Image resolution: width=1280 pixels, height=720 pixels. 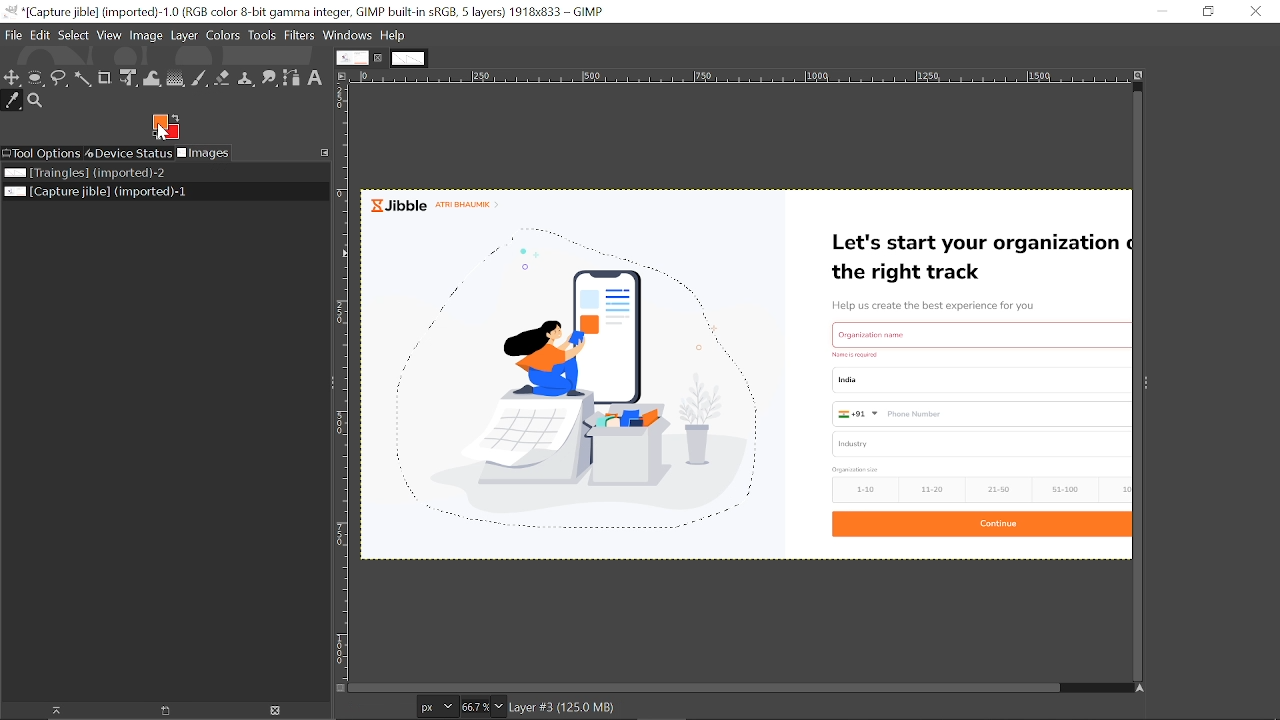 What do you see at coordinates (342, 384) in the screenshot?
I see `Vertical label` at bounding box center [342, 384].